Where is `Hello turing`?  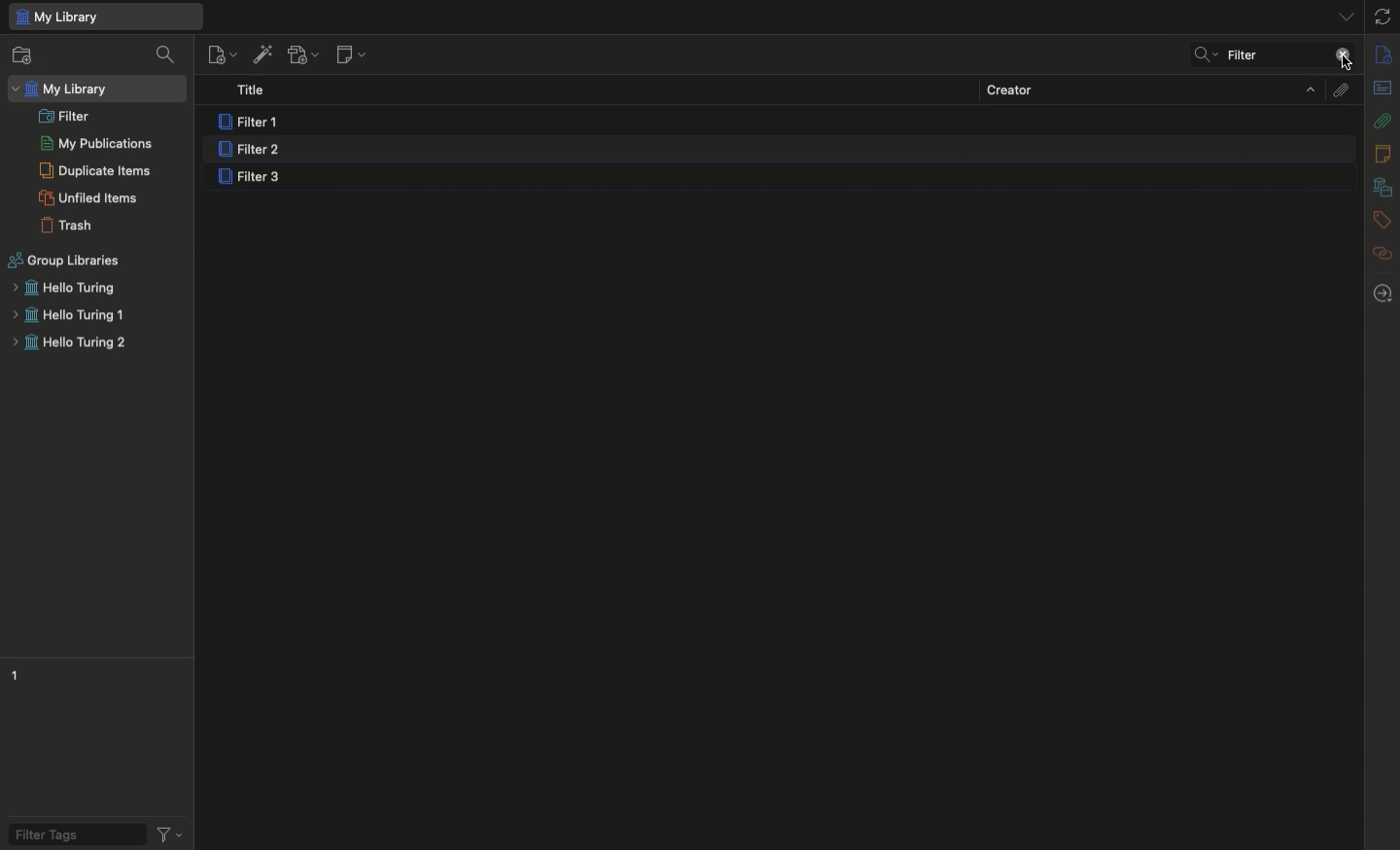 Hello turing is located at coordinates (62, 288).